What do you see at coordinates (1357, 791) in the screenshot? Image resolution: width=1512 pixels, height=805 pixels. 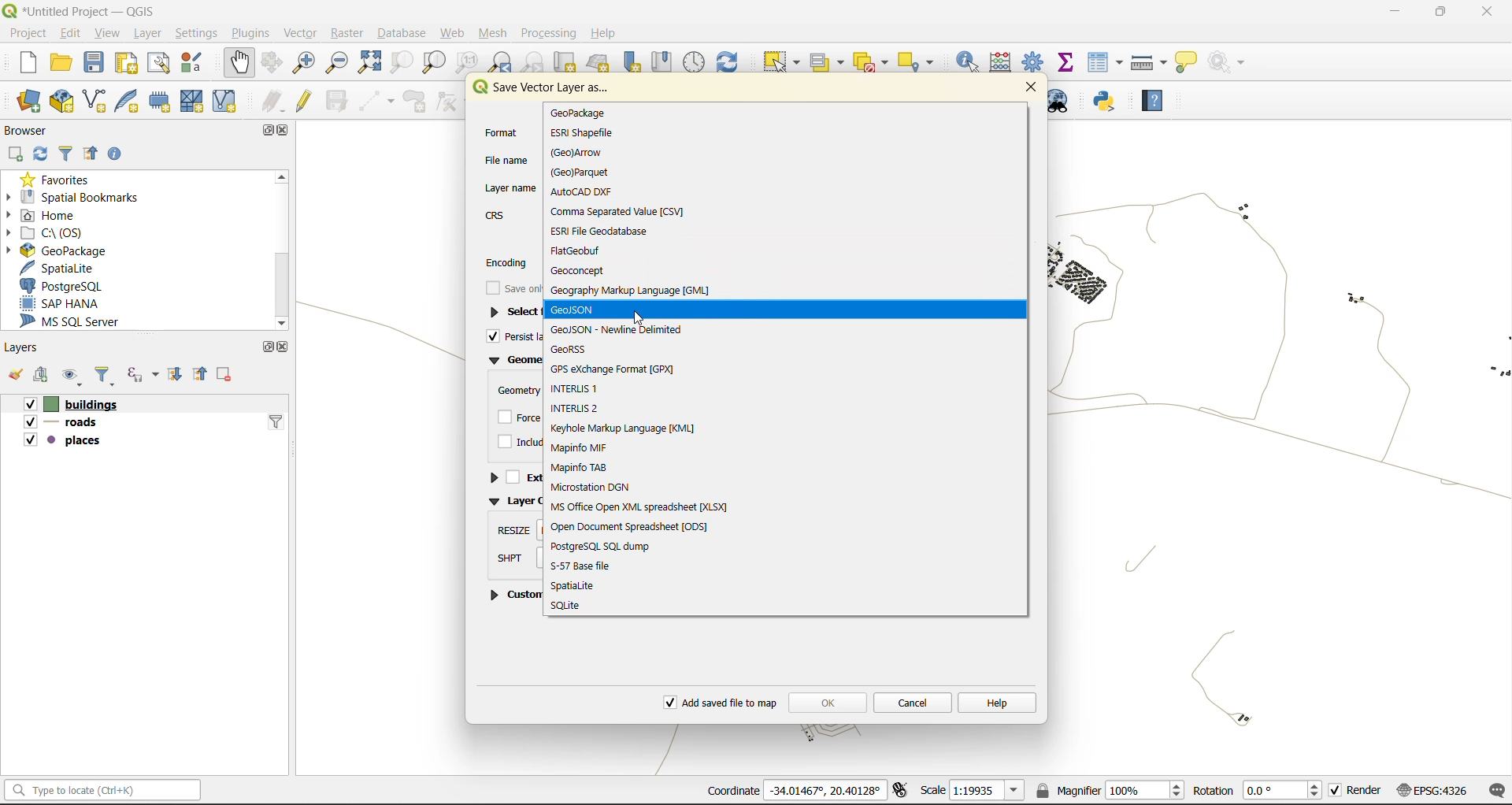 I see `render` at bounding box center [1357, 791].